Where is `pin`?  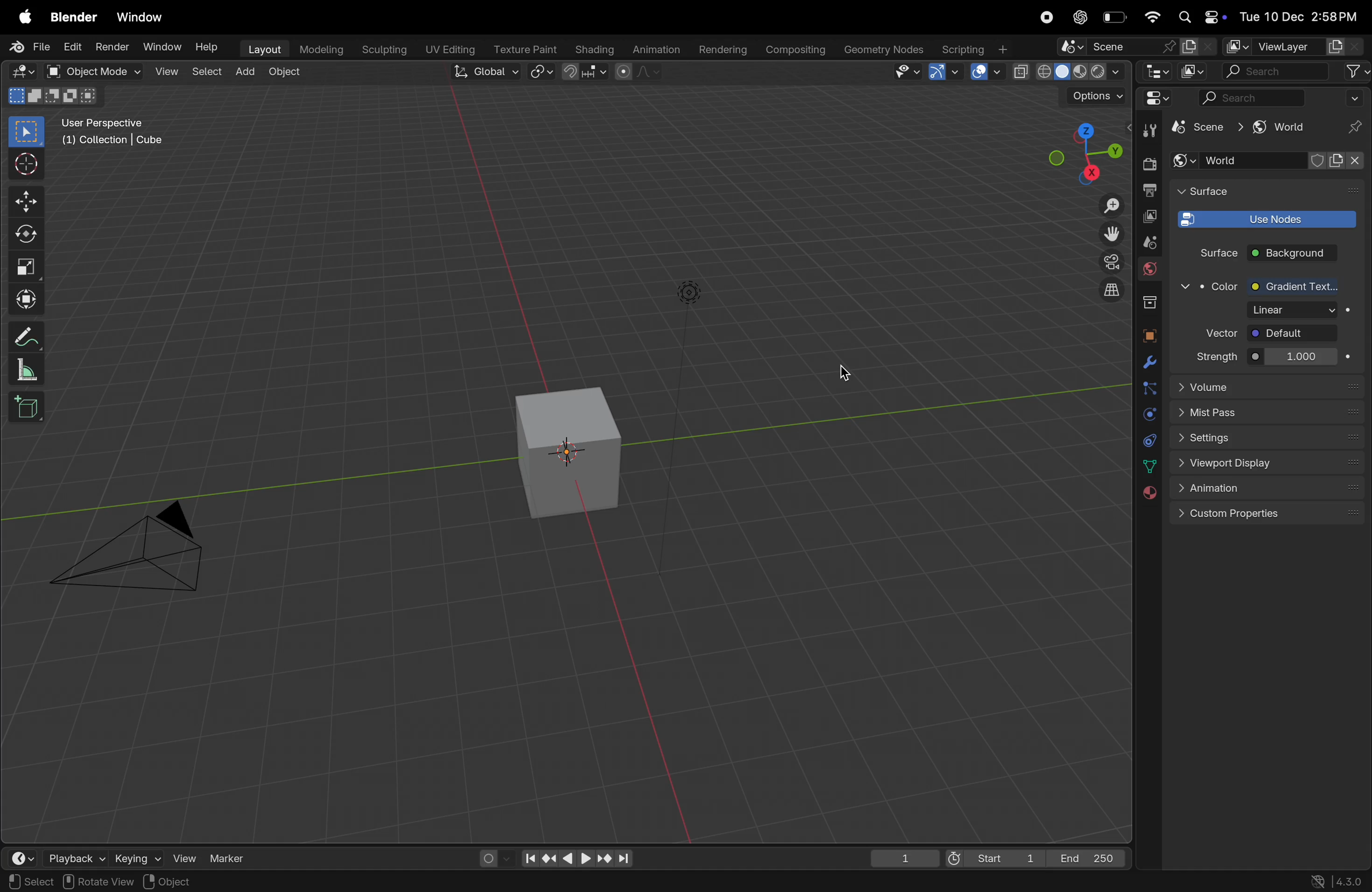 pin is located at coordinates (1351, 128).